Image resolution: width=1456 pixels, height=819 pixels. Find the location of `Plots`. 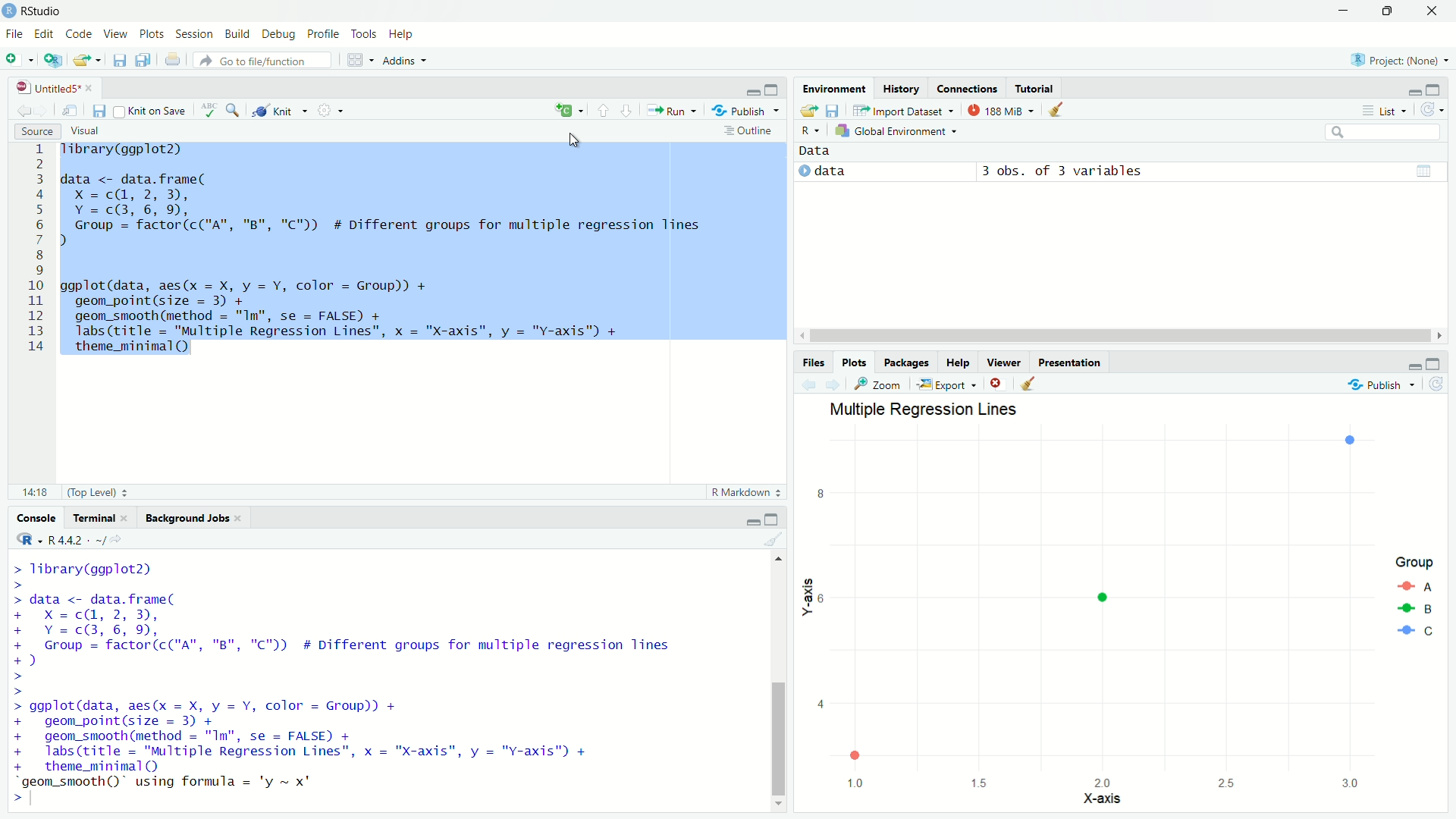

Plots is located at coordinates (851, 361).